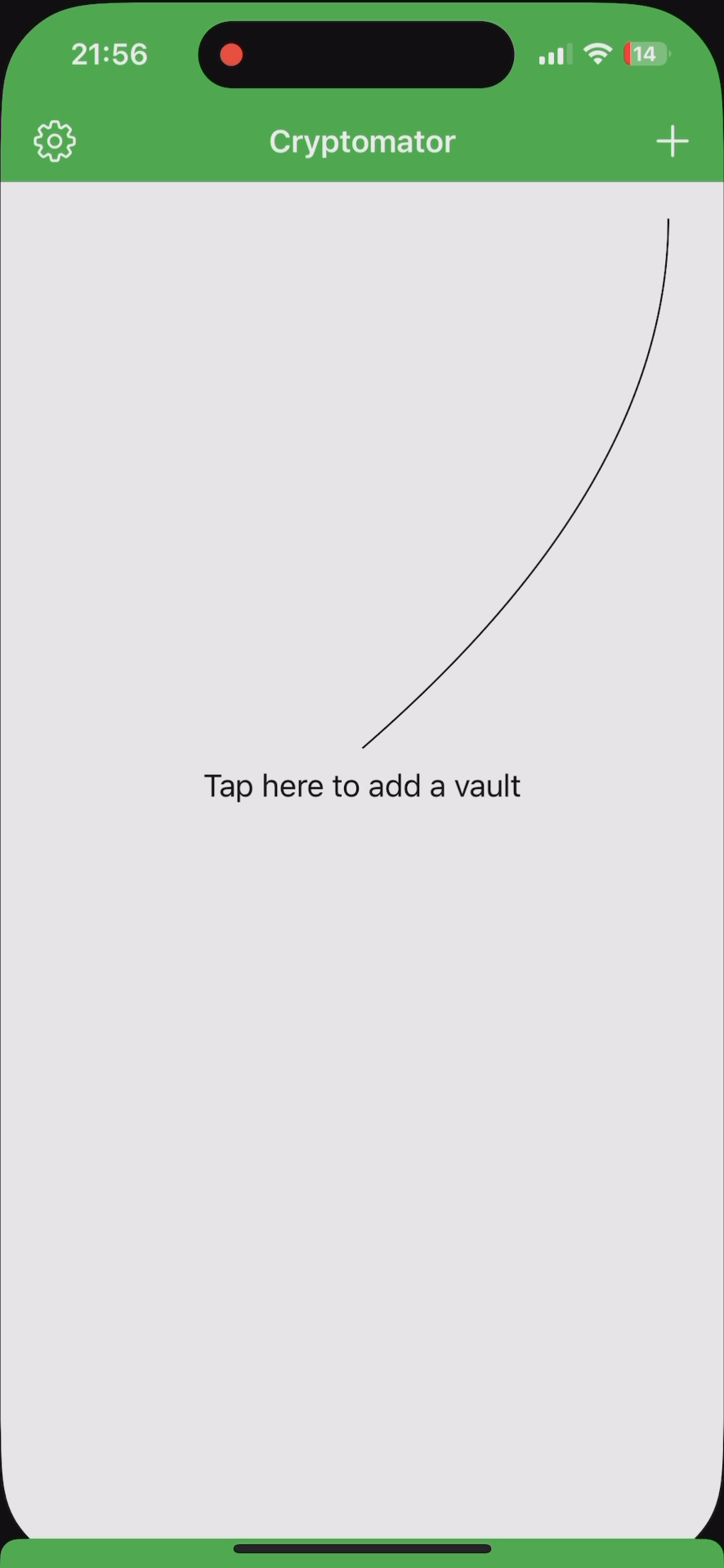 Image resolution: width=724 pixels, height=1568 pixels. What do you see at coordinates (55, 142) in the screenshot?
I see `settings` at bounding box center [55, 142].